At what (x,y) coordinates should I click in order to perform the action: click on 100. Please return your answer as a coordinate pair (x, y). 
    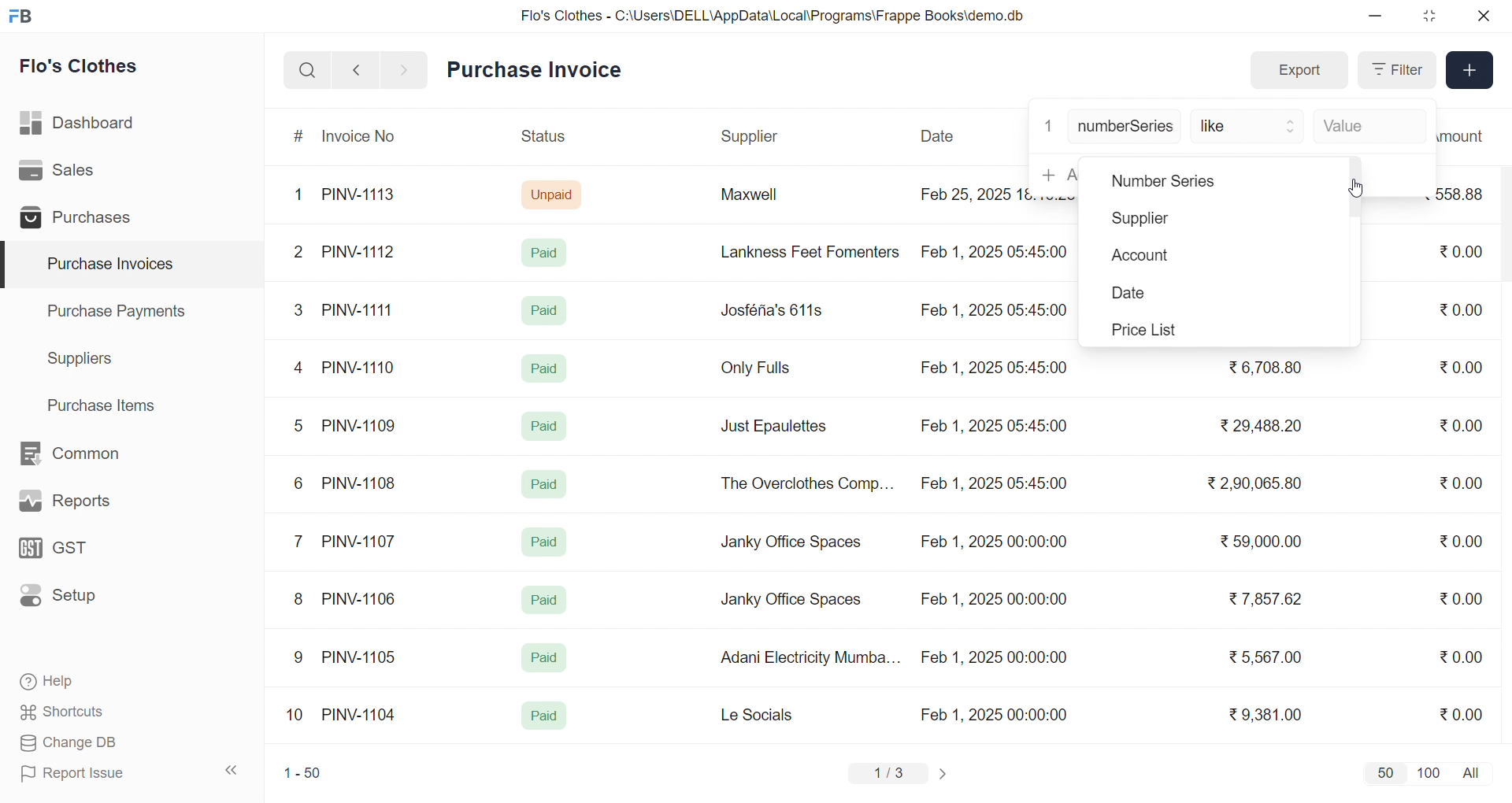
    Looking at the image, I should click on (1426, 772).